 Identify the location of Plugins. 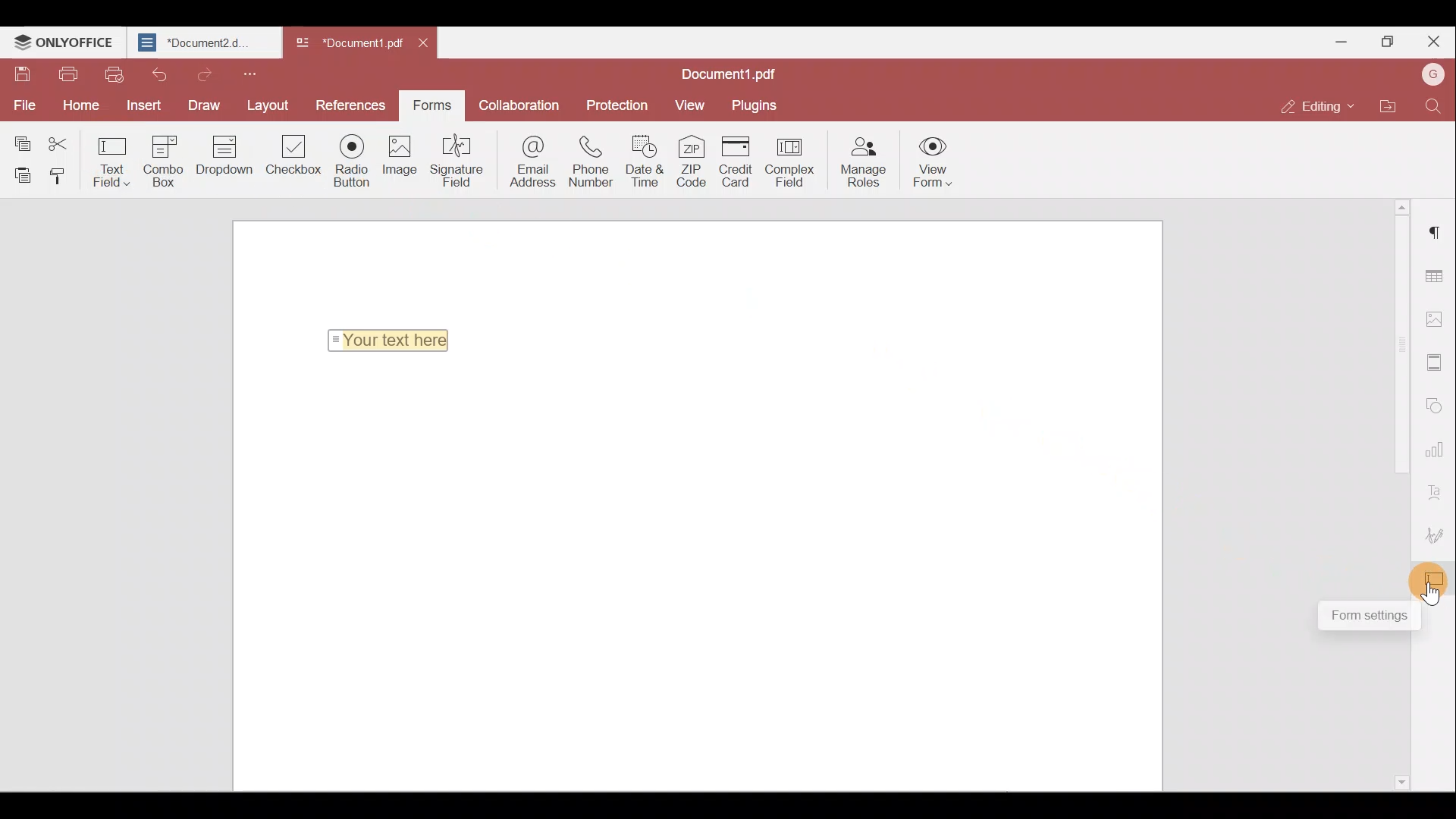
(757, 105).